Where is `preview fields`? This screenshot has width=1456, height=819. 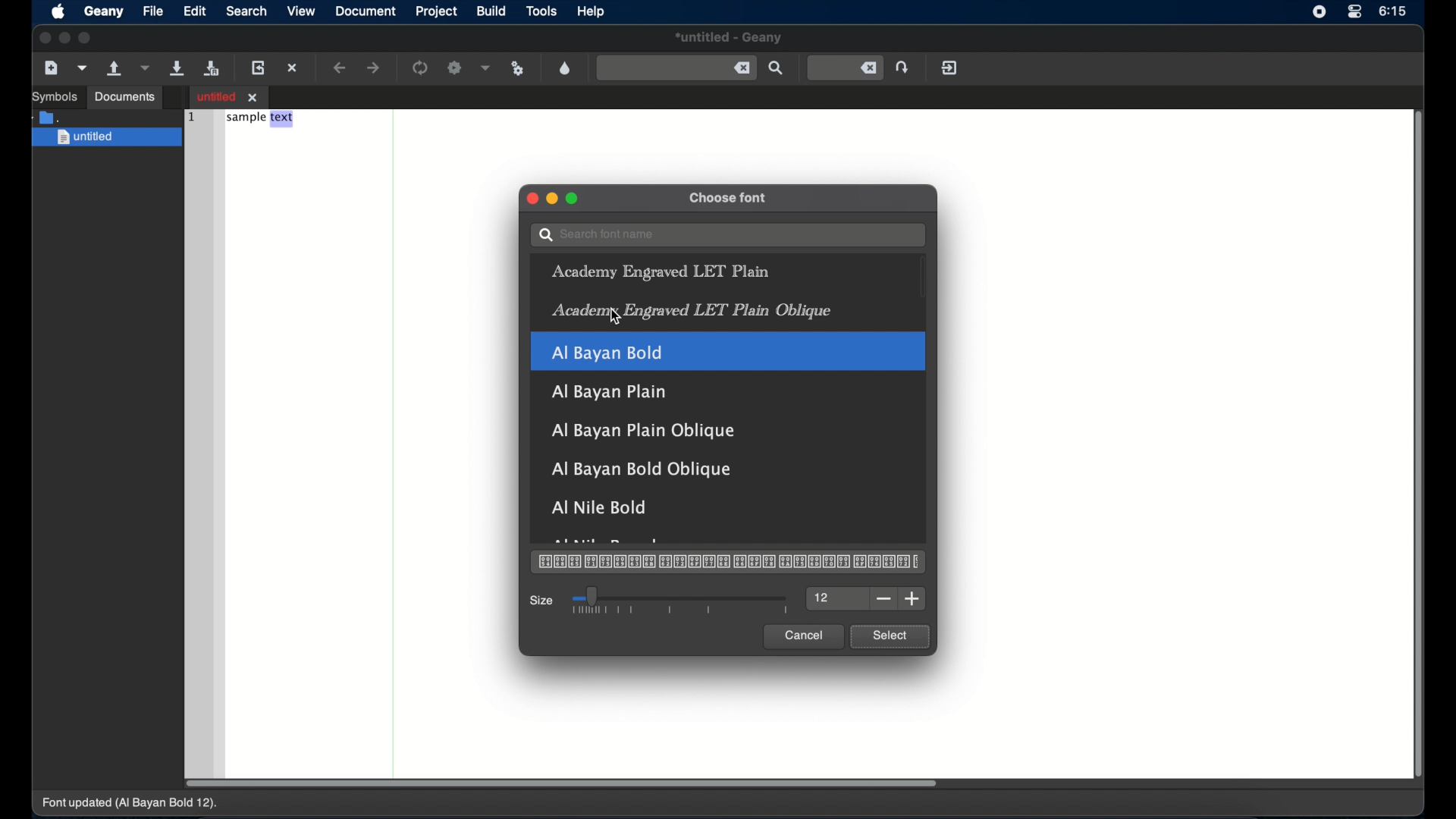
preview fields is located at coordinates (727, 563).